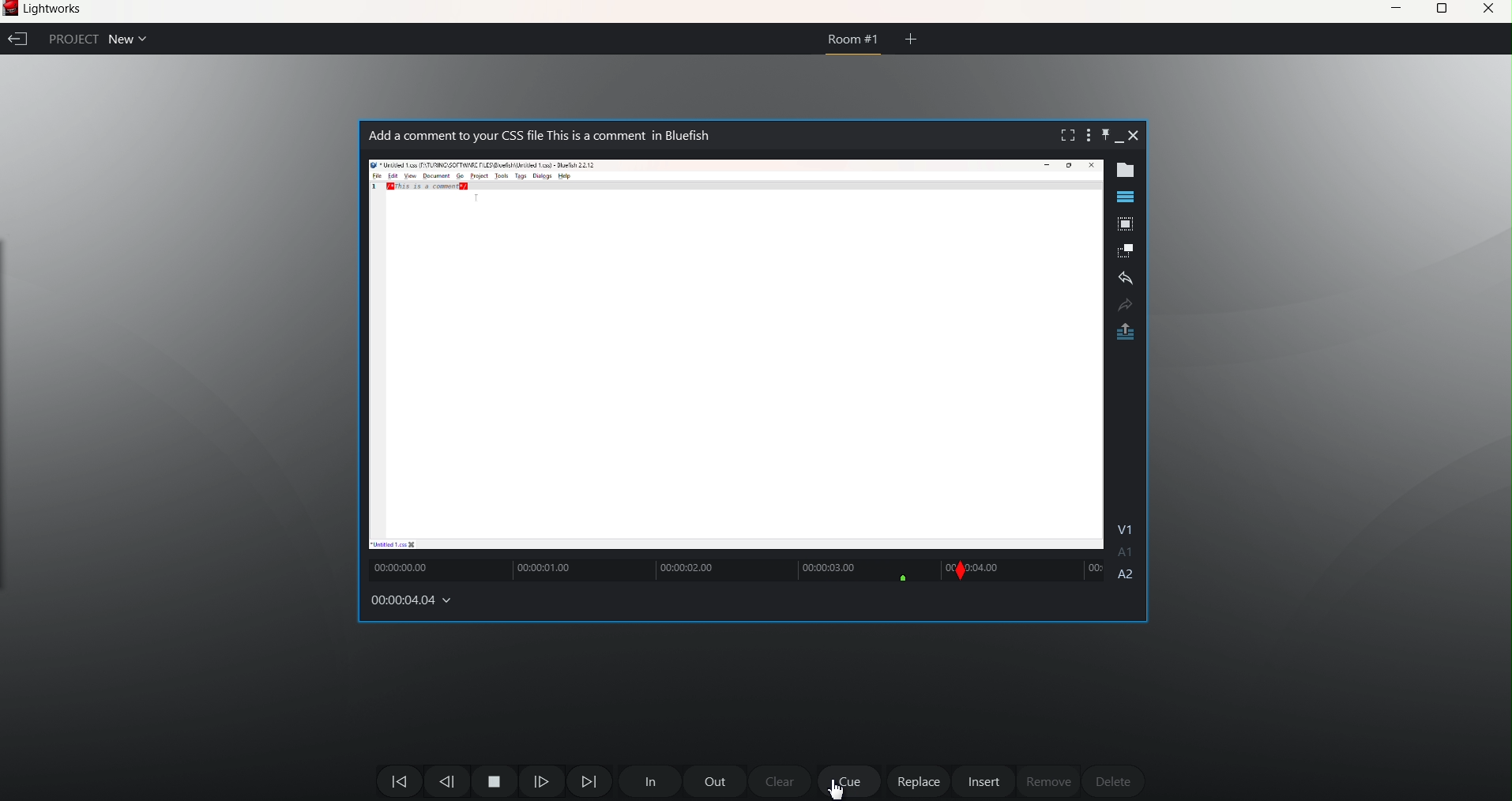  I want to click on Lightworks logo, so click(11, 9).